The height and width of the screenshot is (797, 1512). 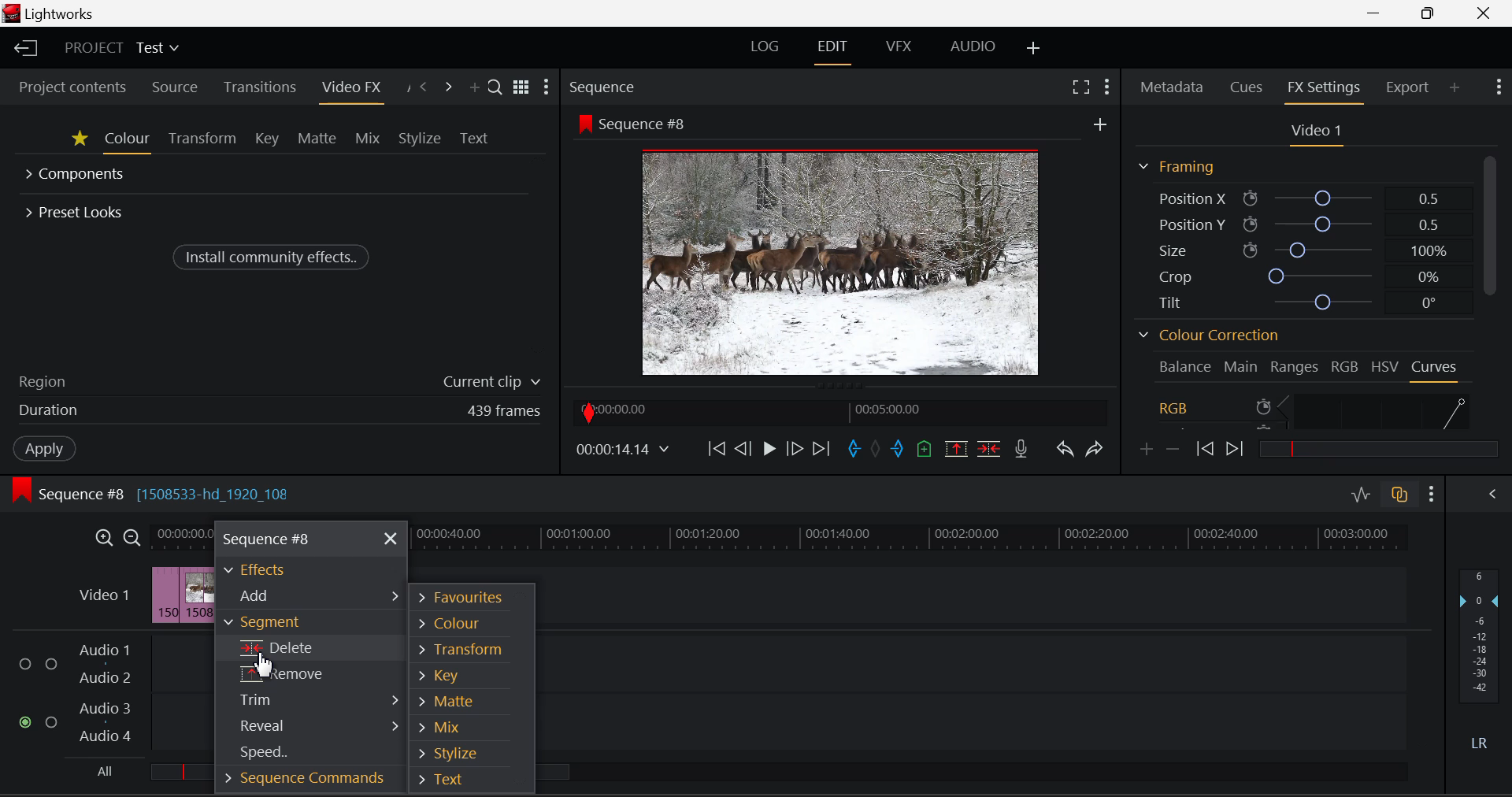 I want to click on Segment, so click(x=265, y=625).